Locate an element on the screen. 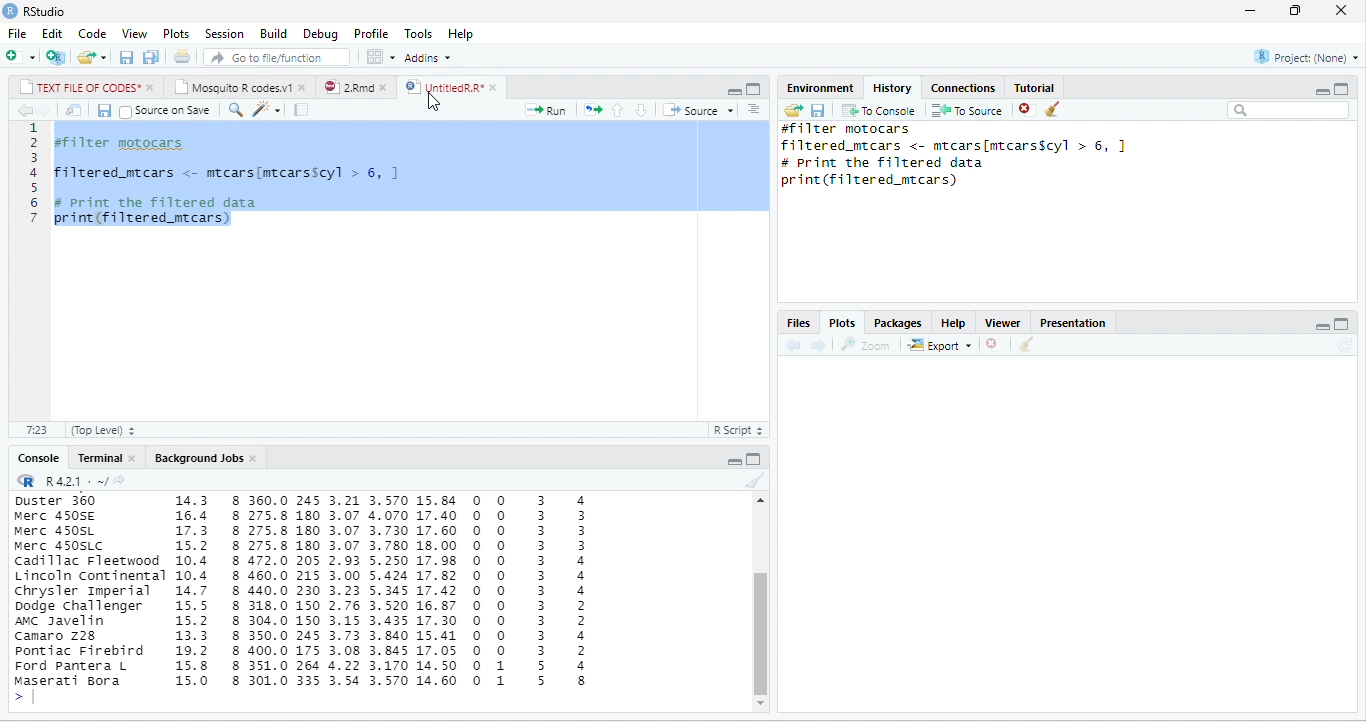 This screenshot has width=1366, height=722. print is located at coordinates (182, 56).